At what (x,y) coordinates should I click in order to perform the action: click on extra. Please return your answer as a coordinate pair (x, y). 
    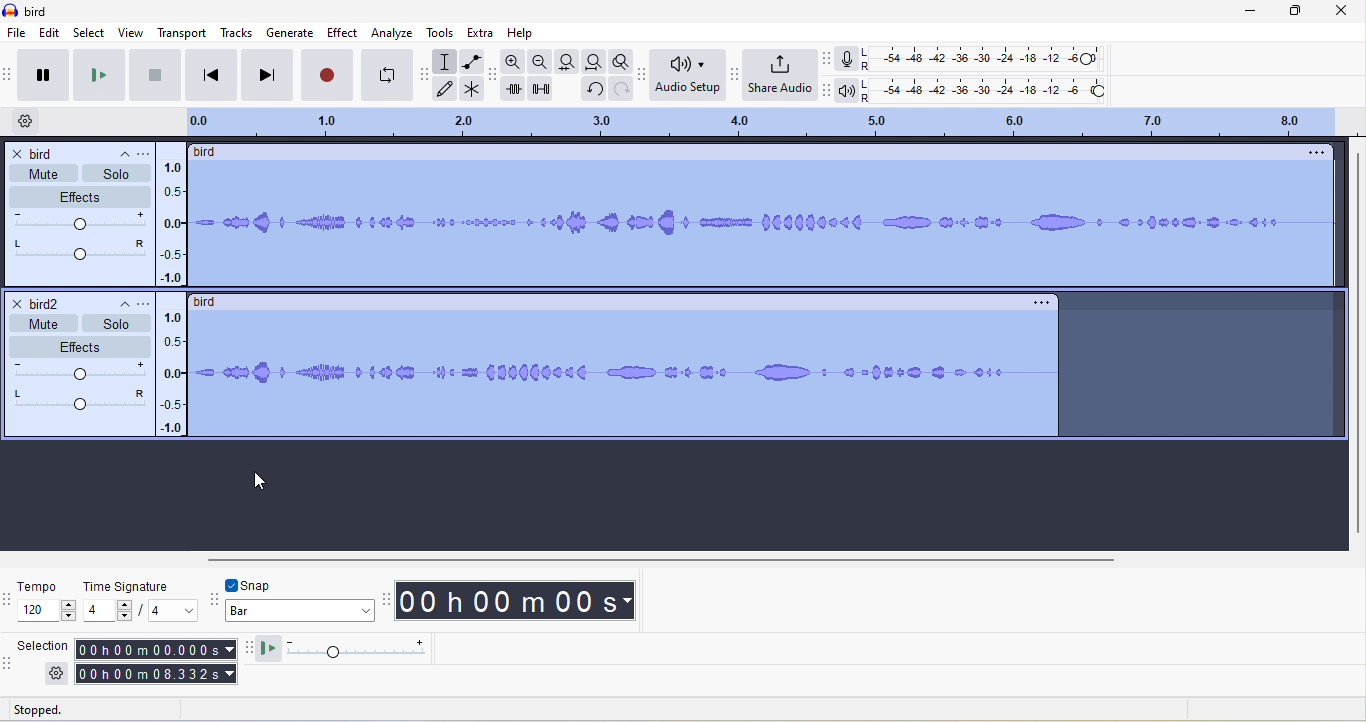
    Looking at the image, I should click on (483, 32).